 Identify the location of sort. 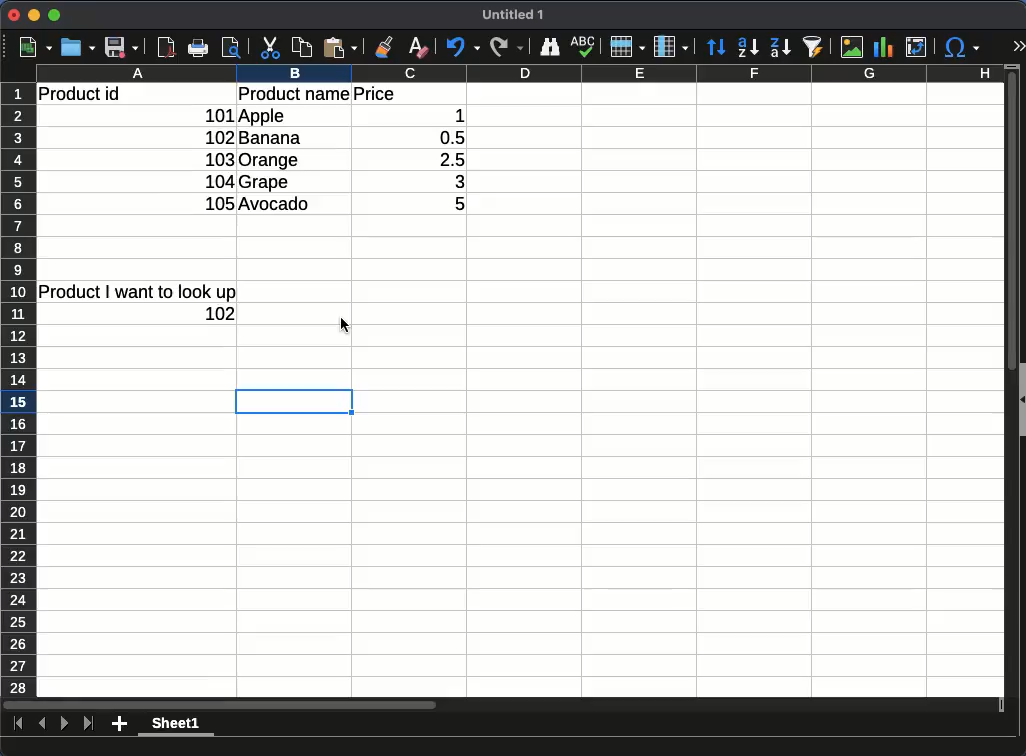
(716, 46).